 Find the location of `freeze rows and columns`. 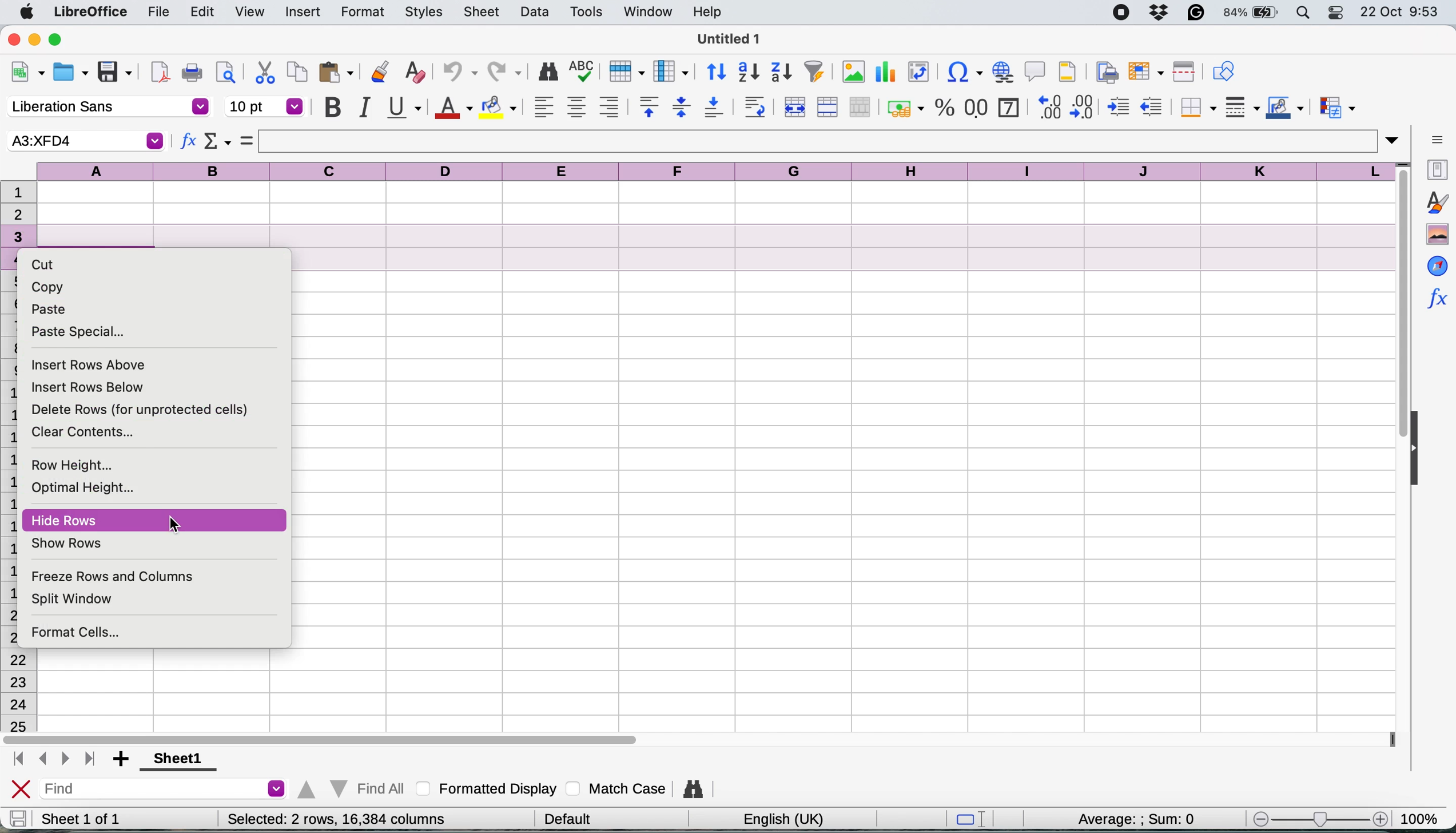

freeze rows and columns is located at coordinates (112, 576).